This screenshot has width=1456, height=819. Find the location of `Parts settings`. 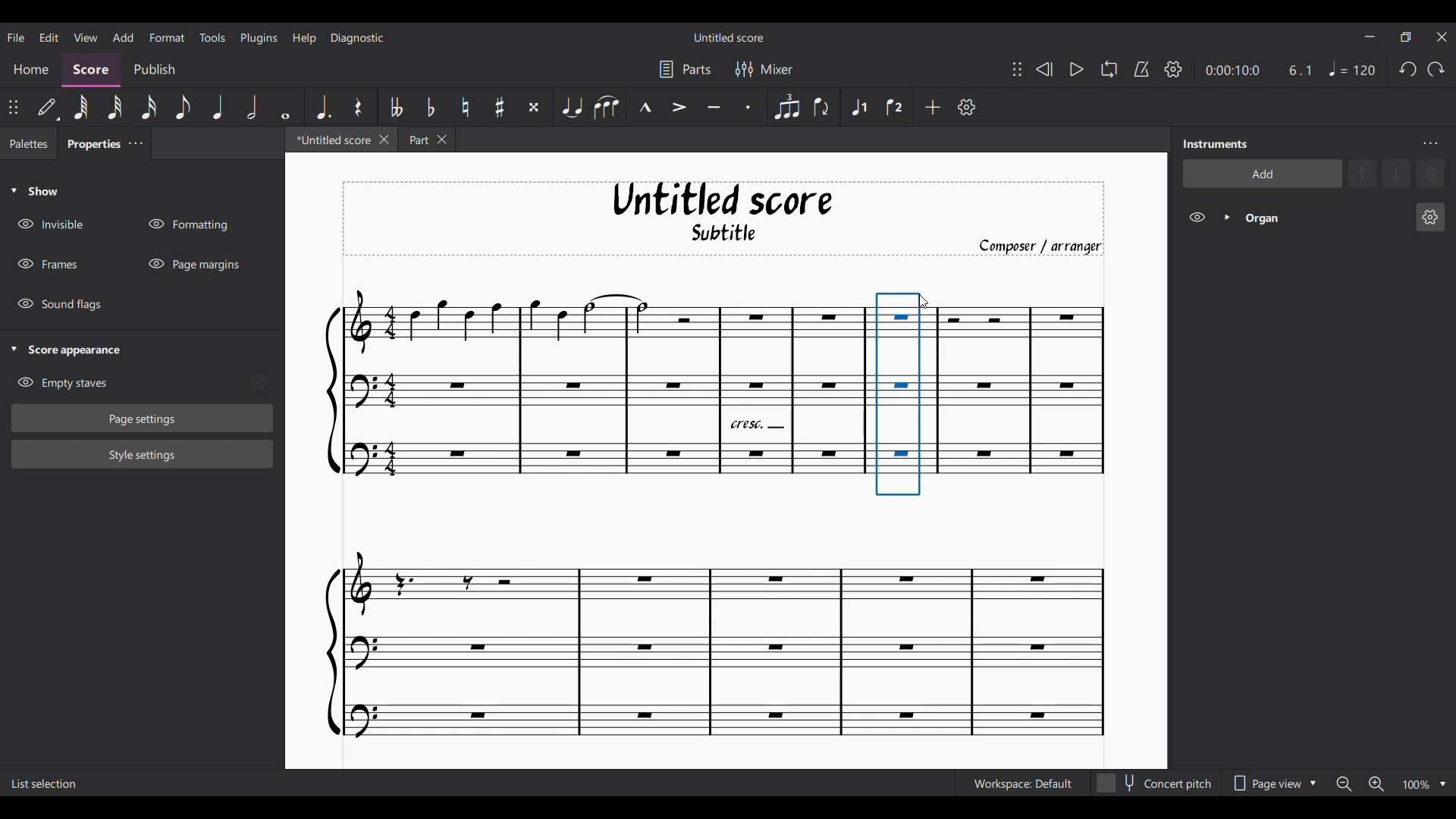

Parts settings is located at coordinates (684, 69).